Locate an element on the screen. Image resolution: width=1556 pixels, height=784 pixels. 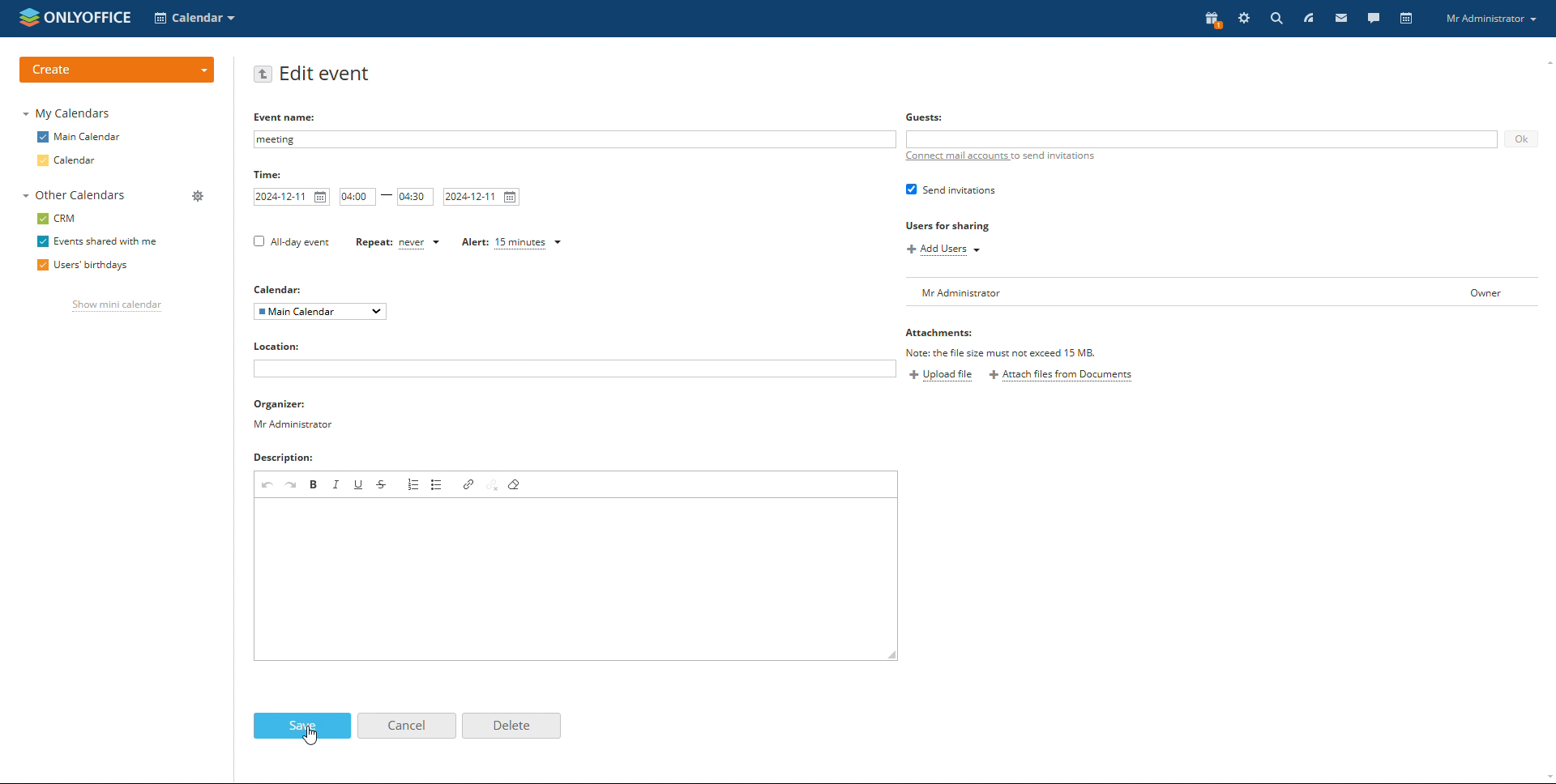
search is located at coordinates (1276, 19).